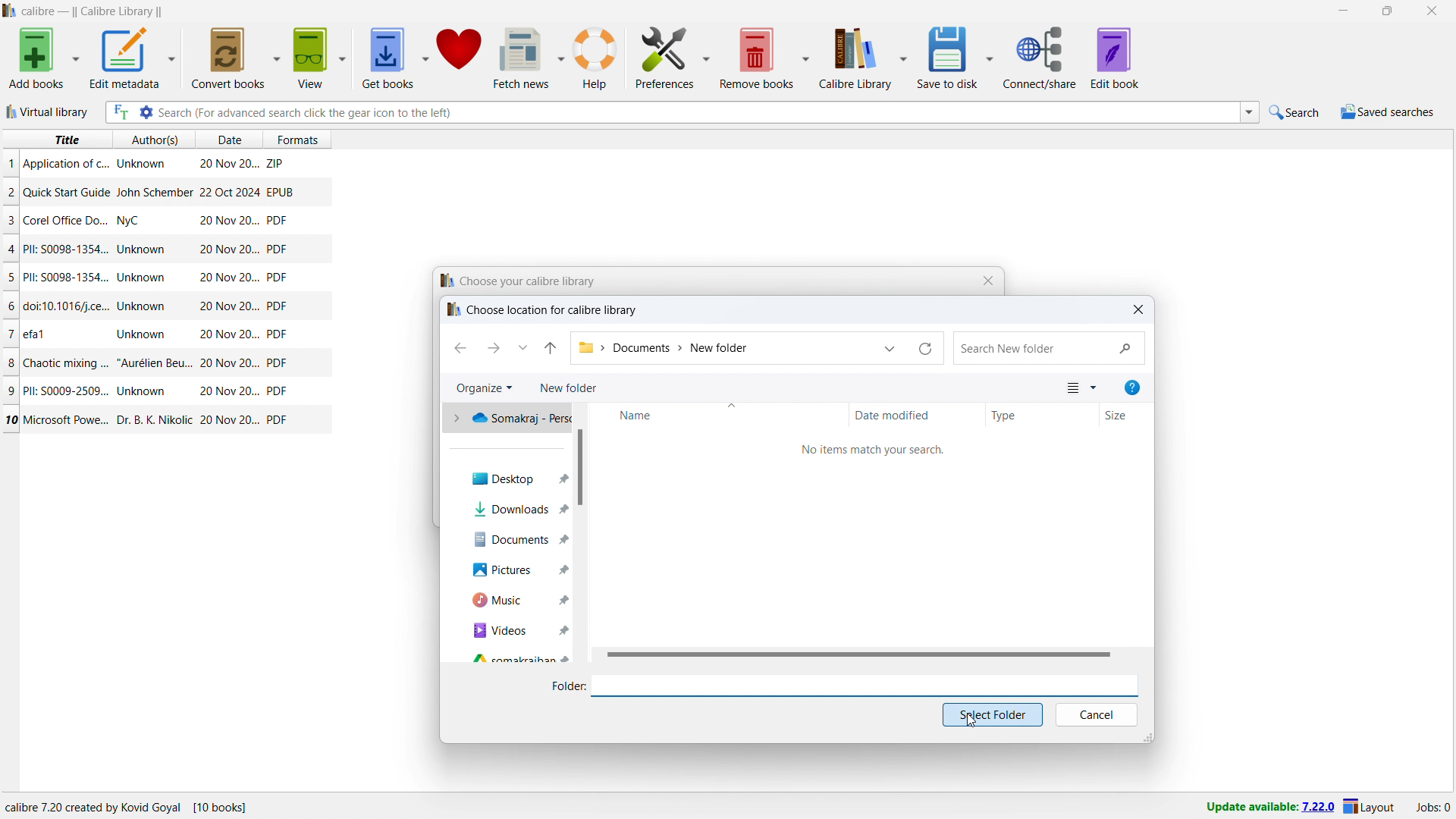 This screenshot has height=819, width=1456. What do you see at coordinates (1433, 808) in the screenshot?
I see `active jobs` at bounding box center [1433, 808].